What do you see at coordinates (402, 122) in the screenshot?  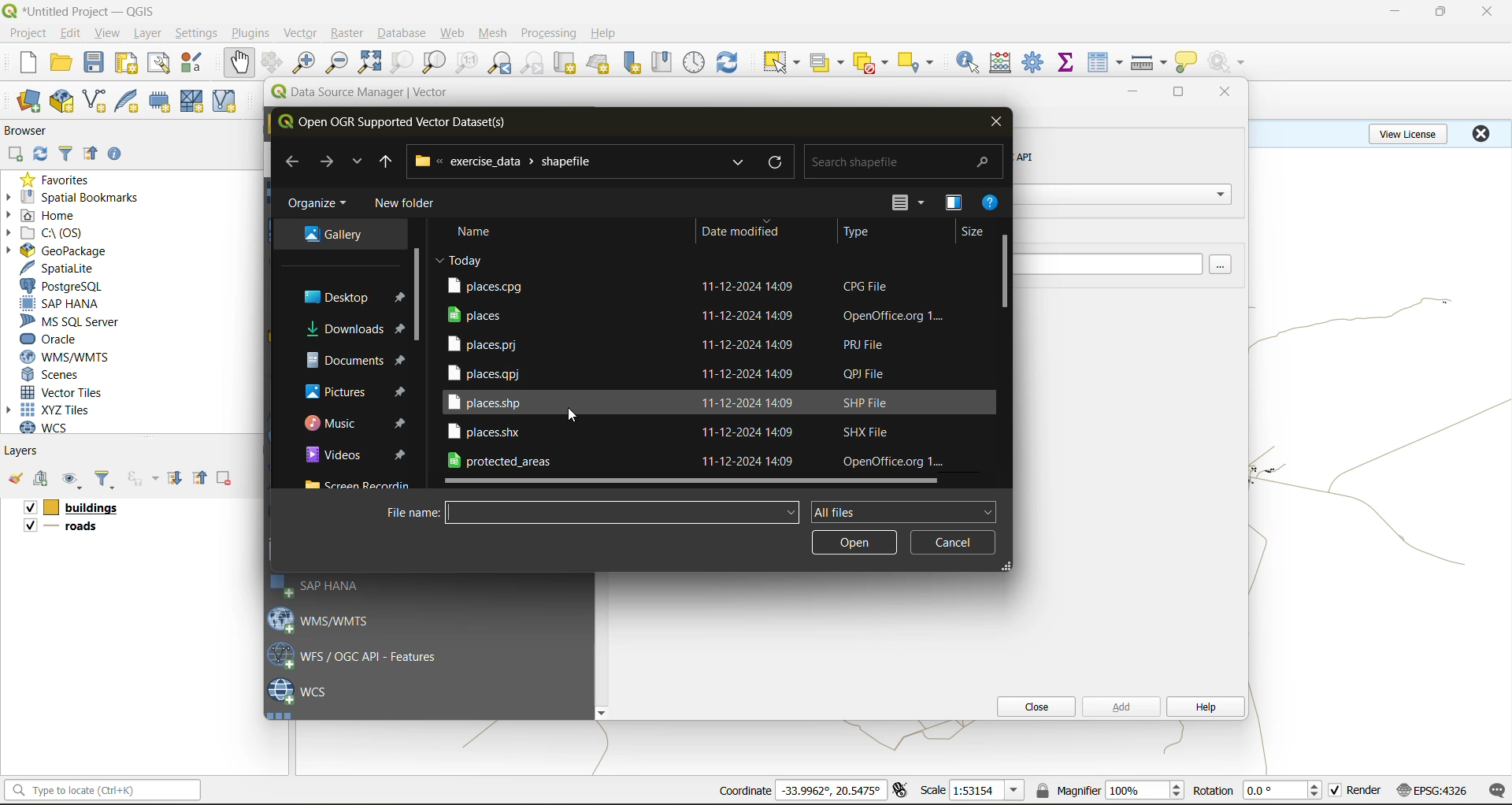 I see `open ogr supported vector dataset` at bounding box center [402, 122].